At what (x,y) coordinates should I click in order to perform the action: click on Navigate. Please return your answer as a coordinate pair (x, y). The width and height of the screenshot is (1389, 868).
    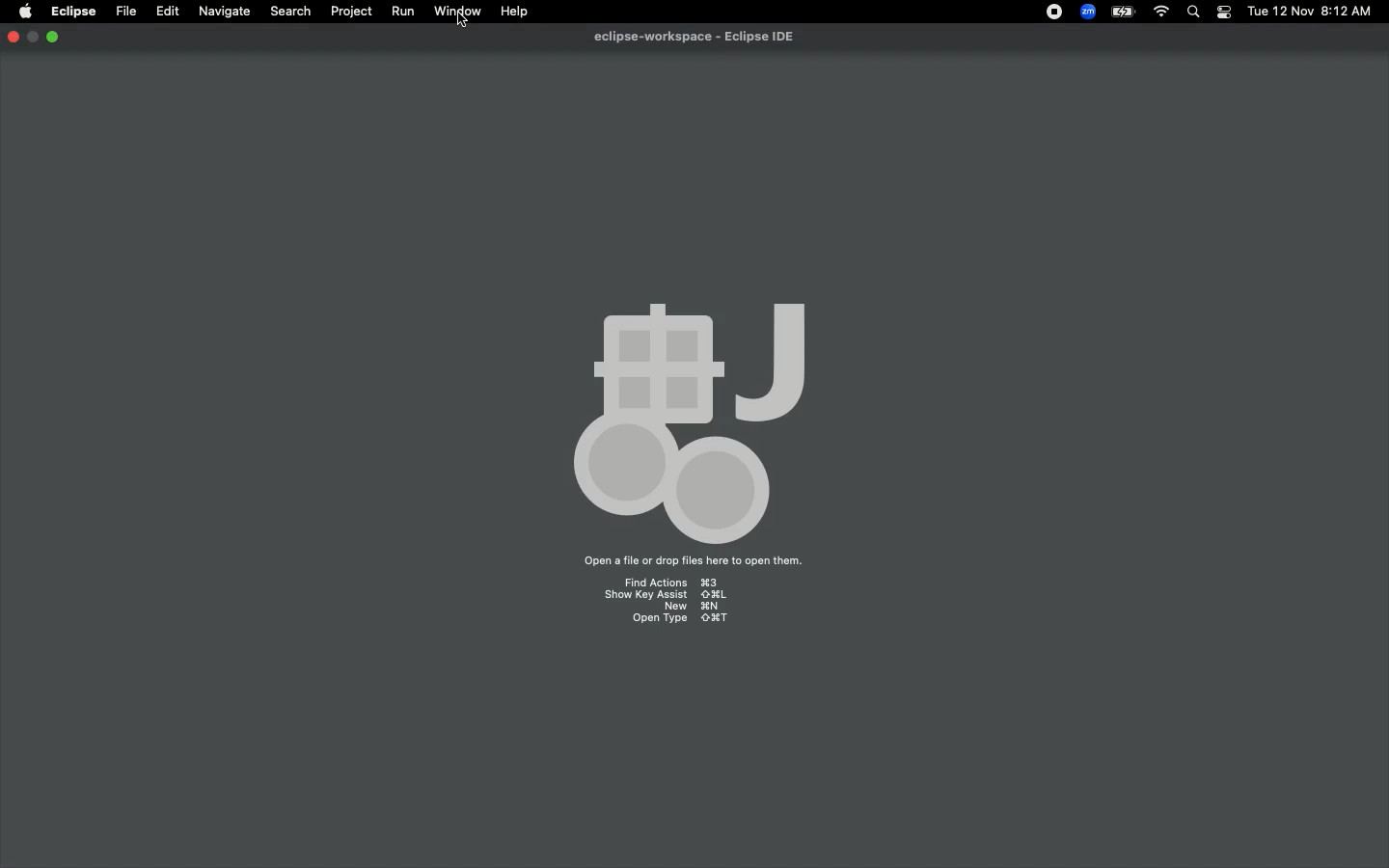
    Looking at the image, I should click on (222, 12).